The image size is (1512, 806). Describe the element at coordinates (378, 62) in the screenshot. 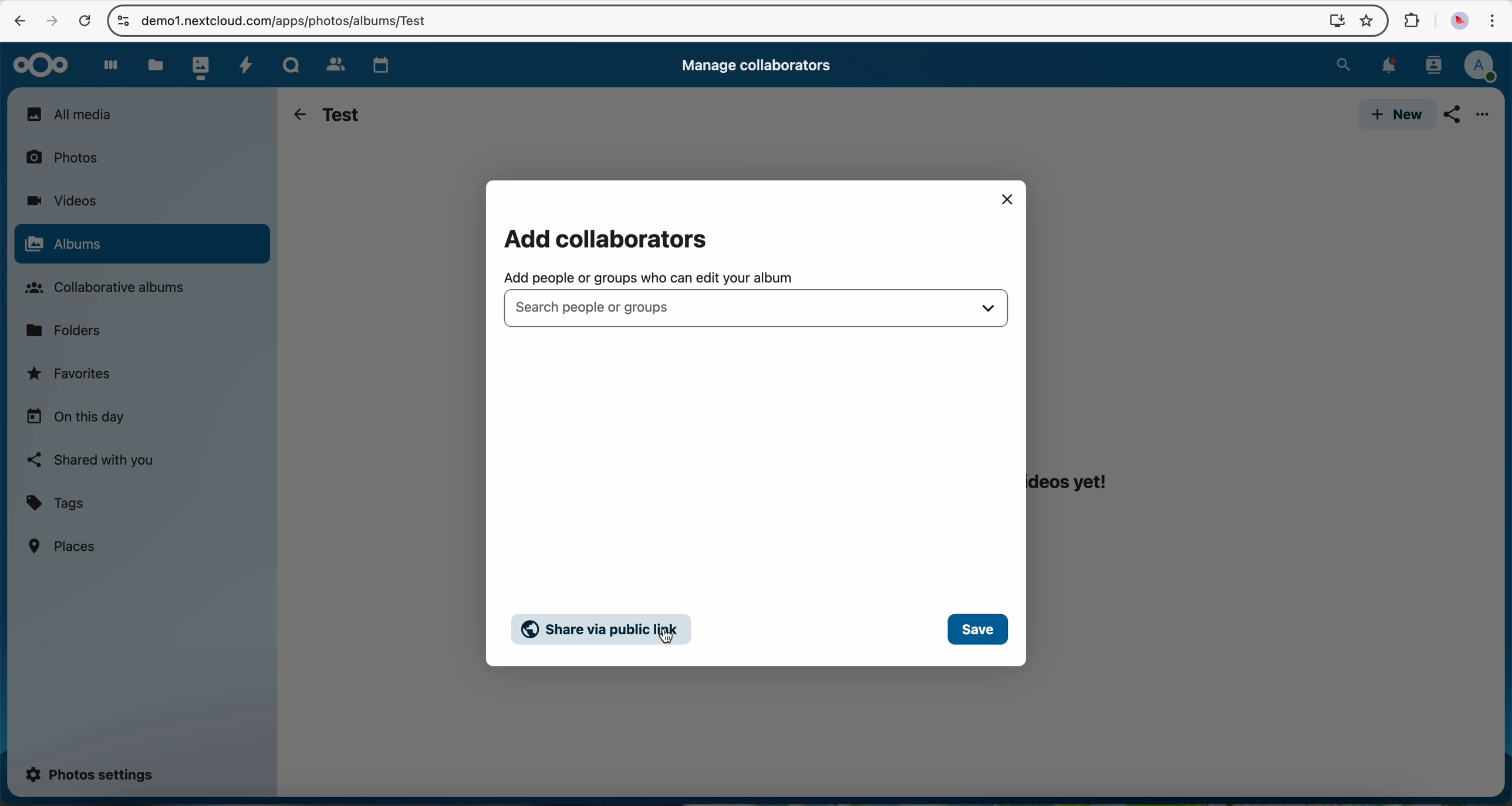

I see `calendar` at that location.